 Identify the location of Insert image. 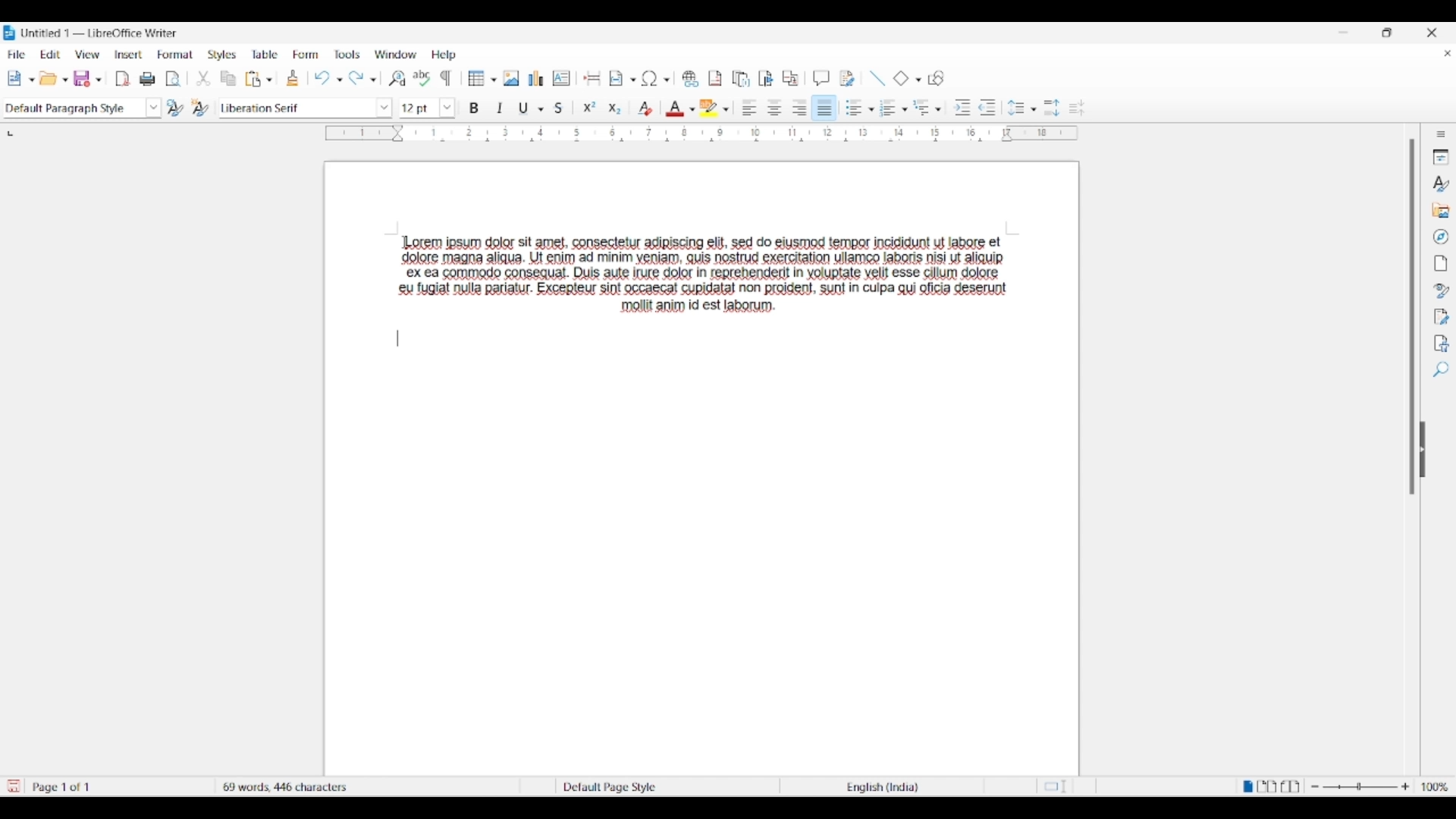
(511, 78).